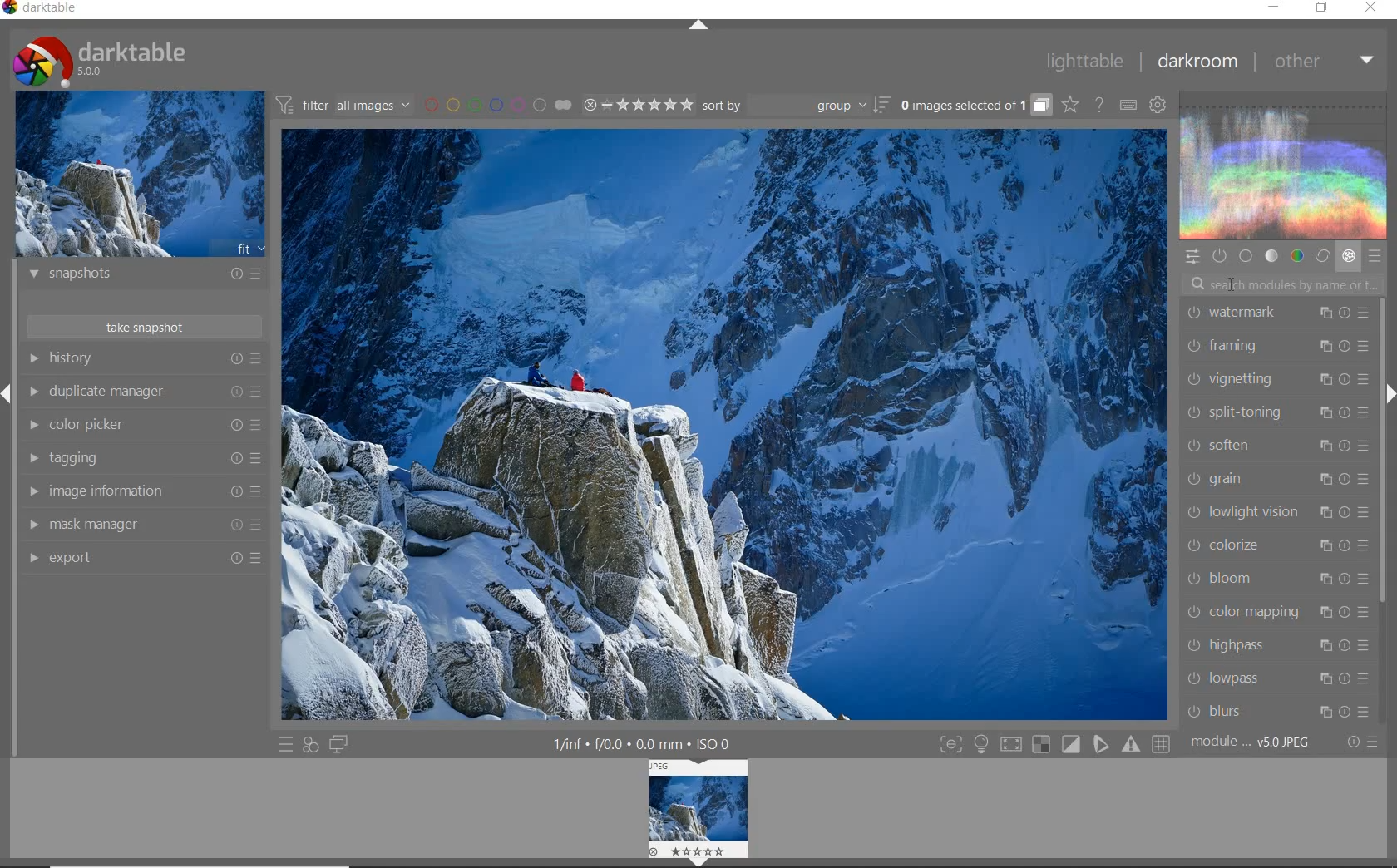 The image size is (1397, 868). What do you see at coordinates (1197, 62) in the screenshot?
I see `darkroom` at bounding box center [1197, 62].